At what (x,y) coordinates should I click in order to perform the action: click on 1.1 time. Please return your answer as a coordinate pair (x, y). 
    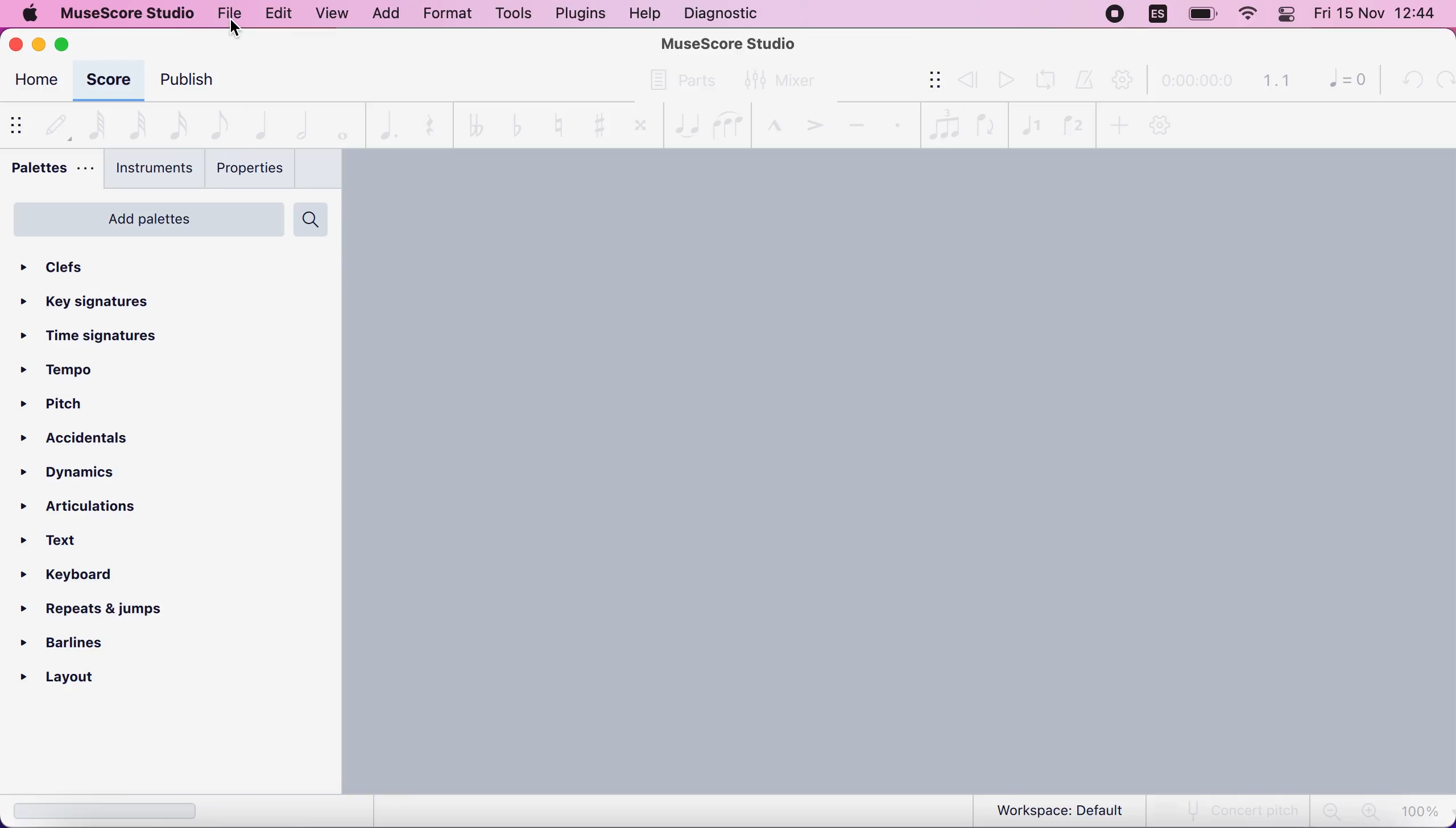
    Looking at the image, I should click on (1276, 81).